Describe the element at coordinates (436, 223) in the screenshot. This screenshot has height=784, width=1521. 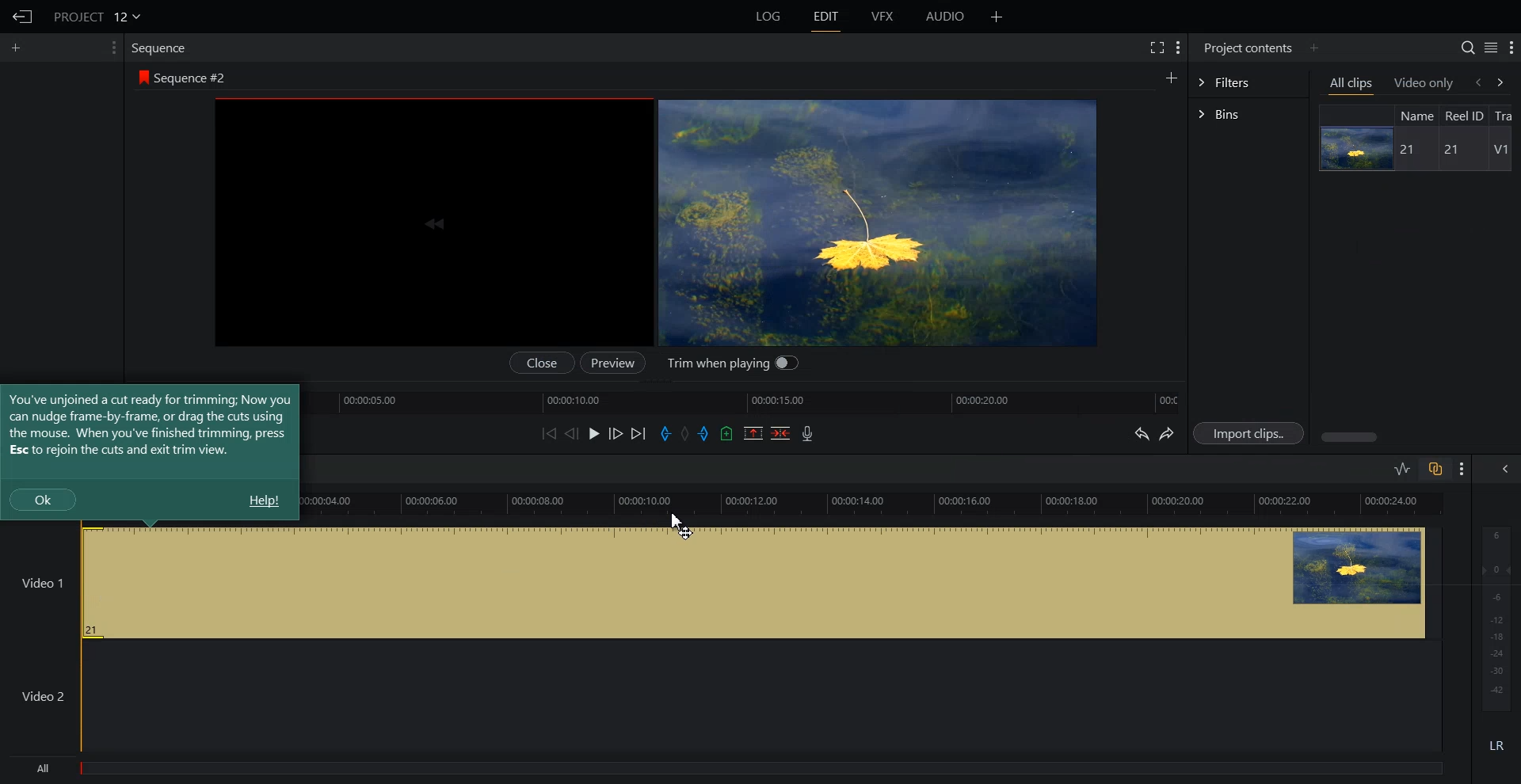
I see `File Preview` at that location.